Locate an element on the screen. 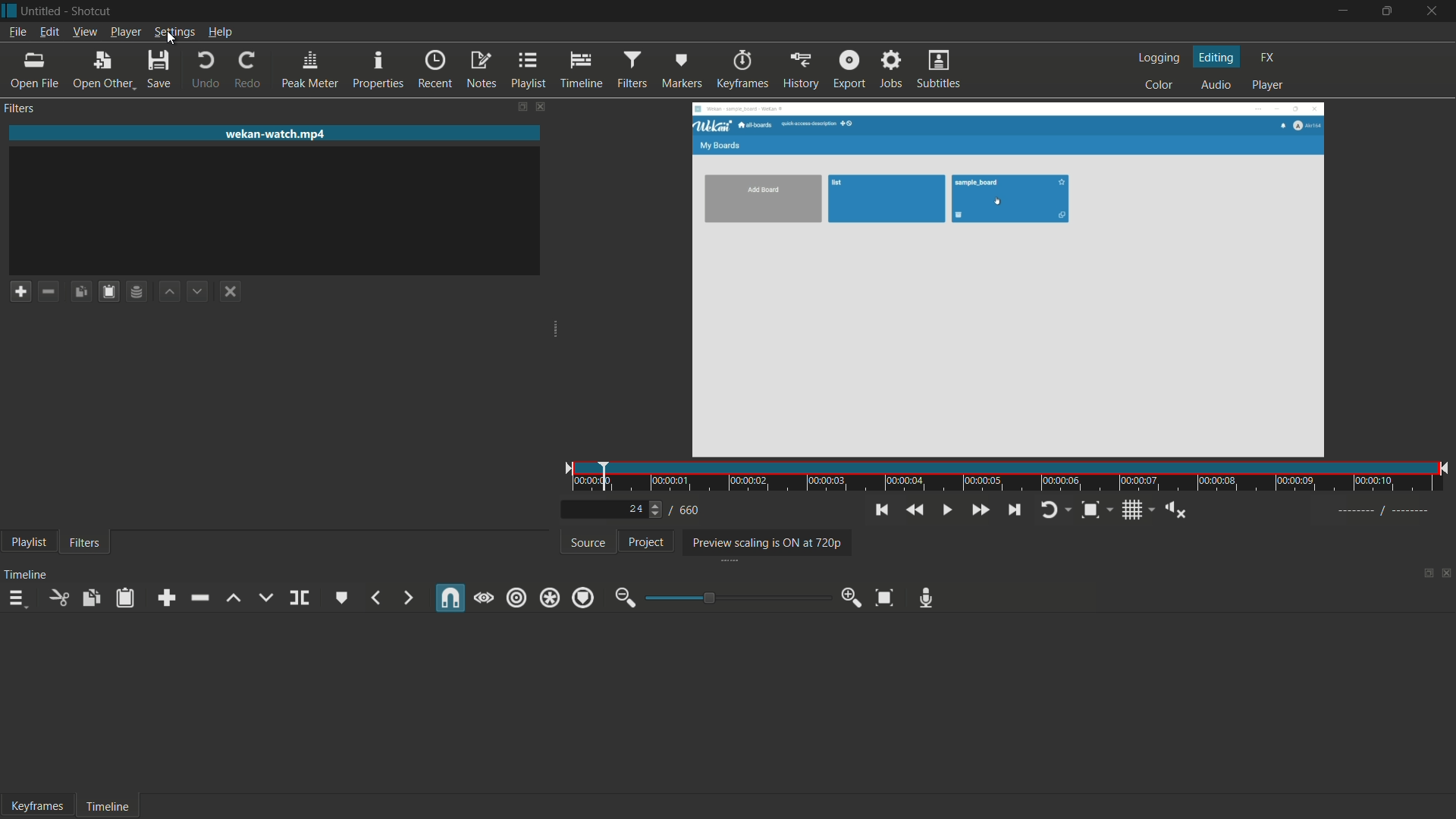 The image size is (1456, 819). color is located at coordinates (1159, 86).